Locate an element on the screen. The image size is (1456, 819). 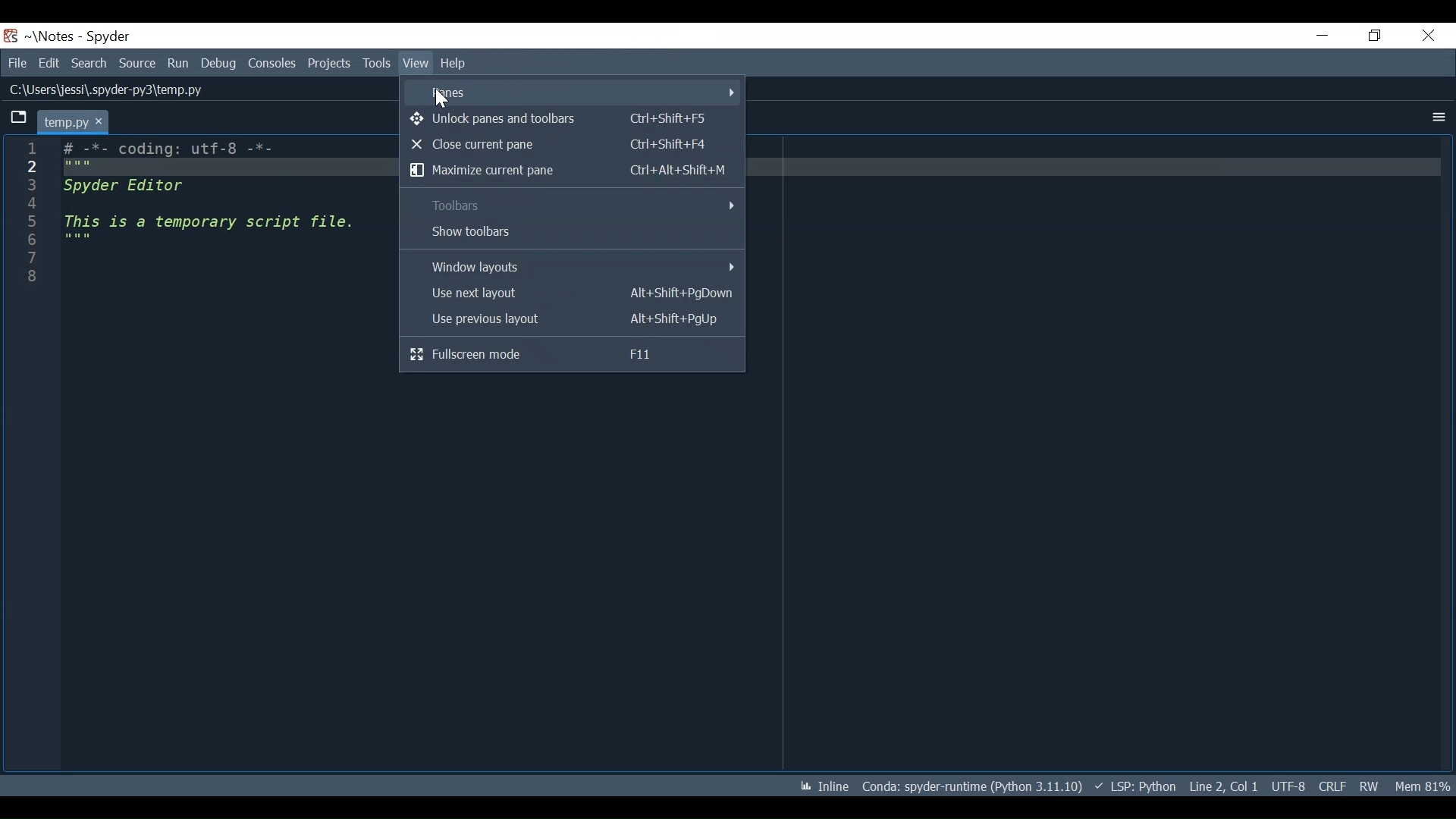
Line 2, Col 1 is located at coordinates (1224, 786).